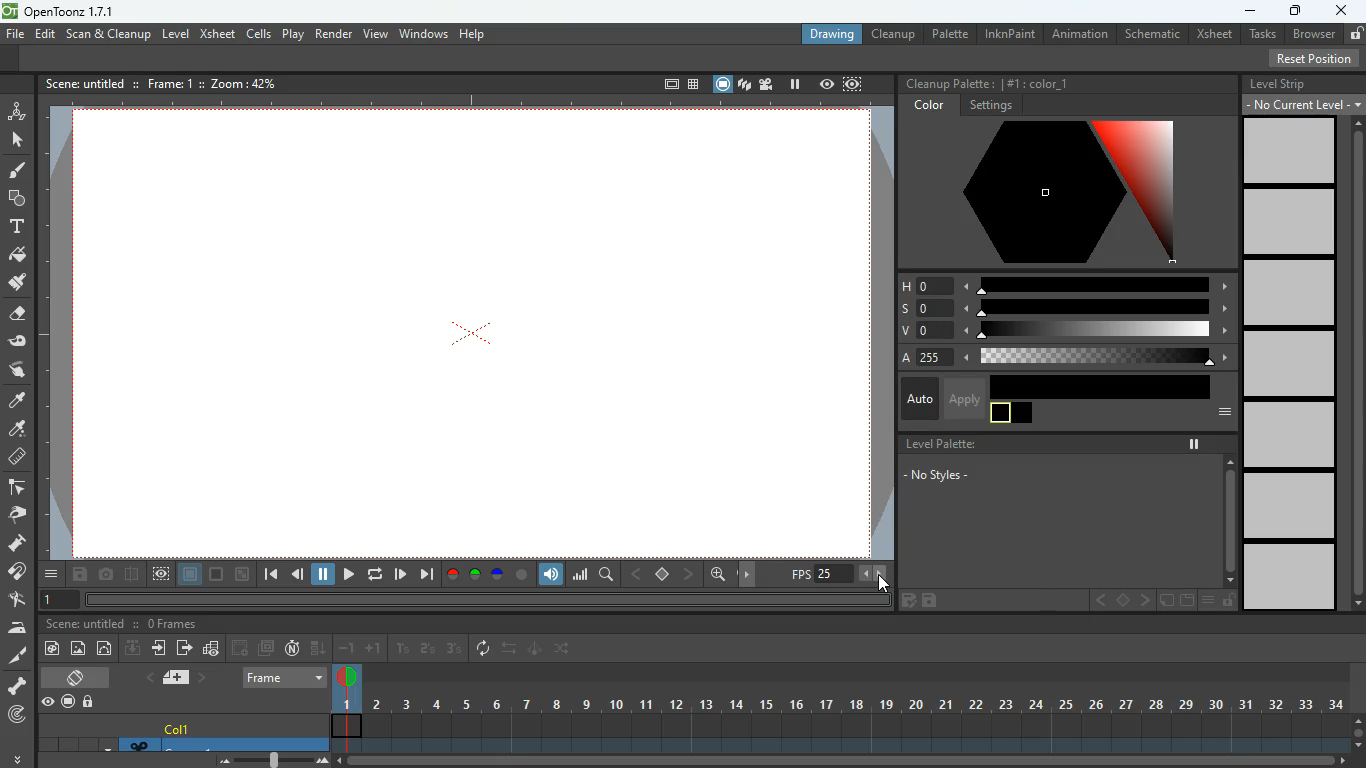 This screenshot has height=768, width=1366. What do you see at coordinates (1053, 359) in the screenshot?
I see `a` at bounding box center [1053, 359].